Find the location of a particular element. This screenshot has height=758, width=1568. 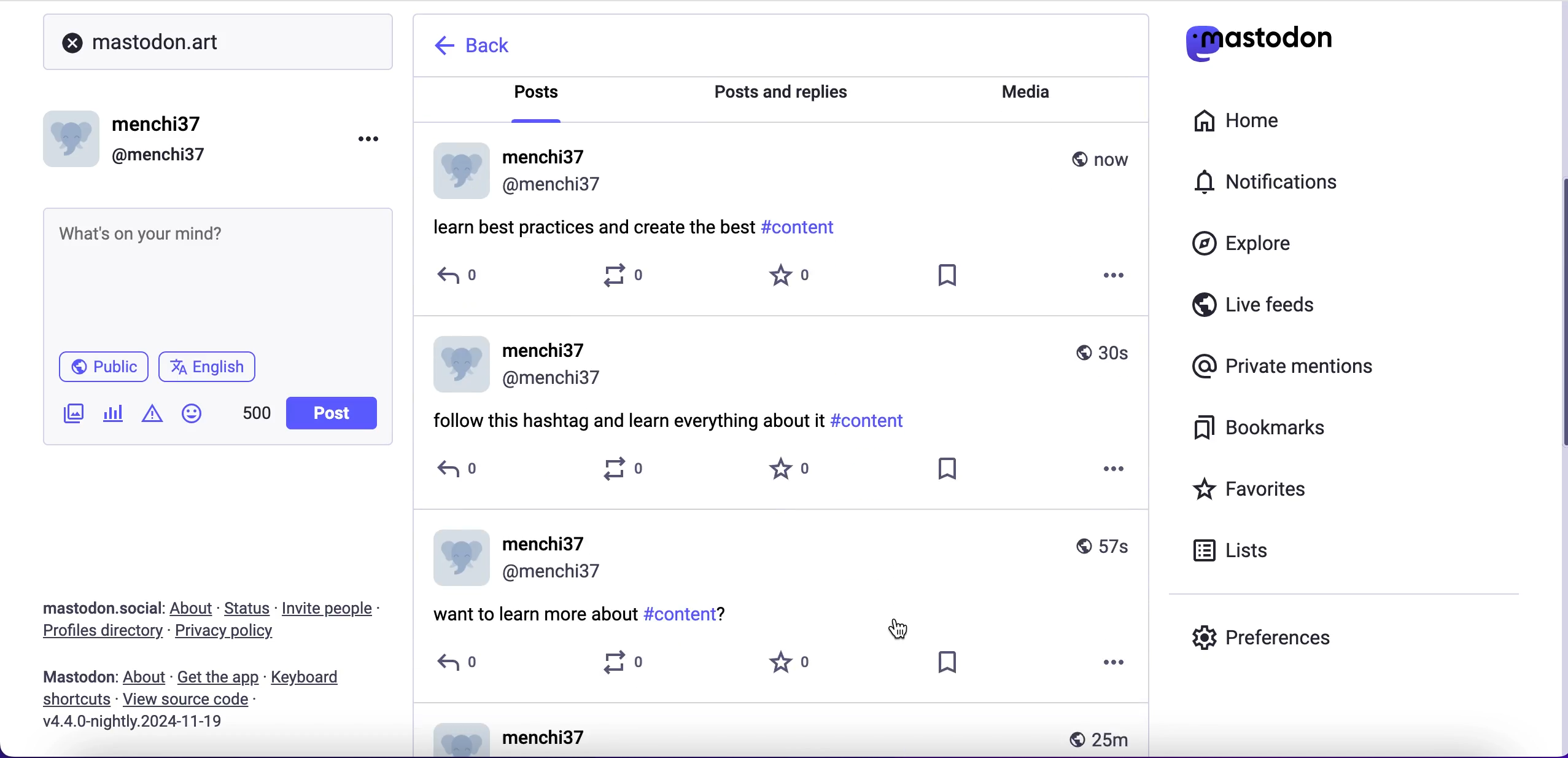

 is located at coordinates (187, 699).